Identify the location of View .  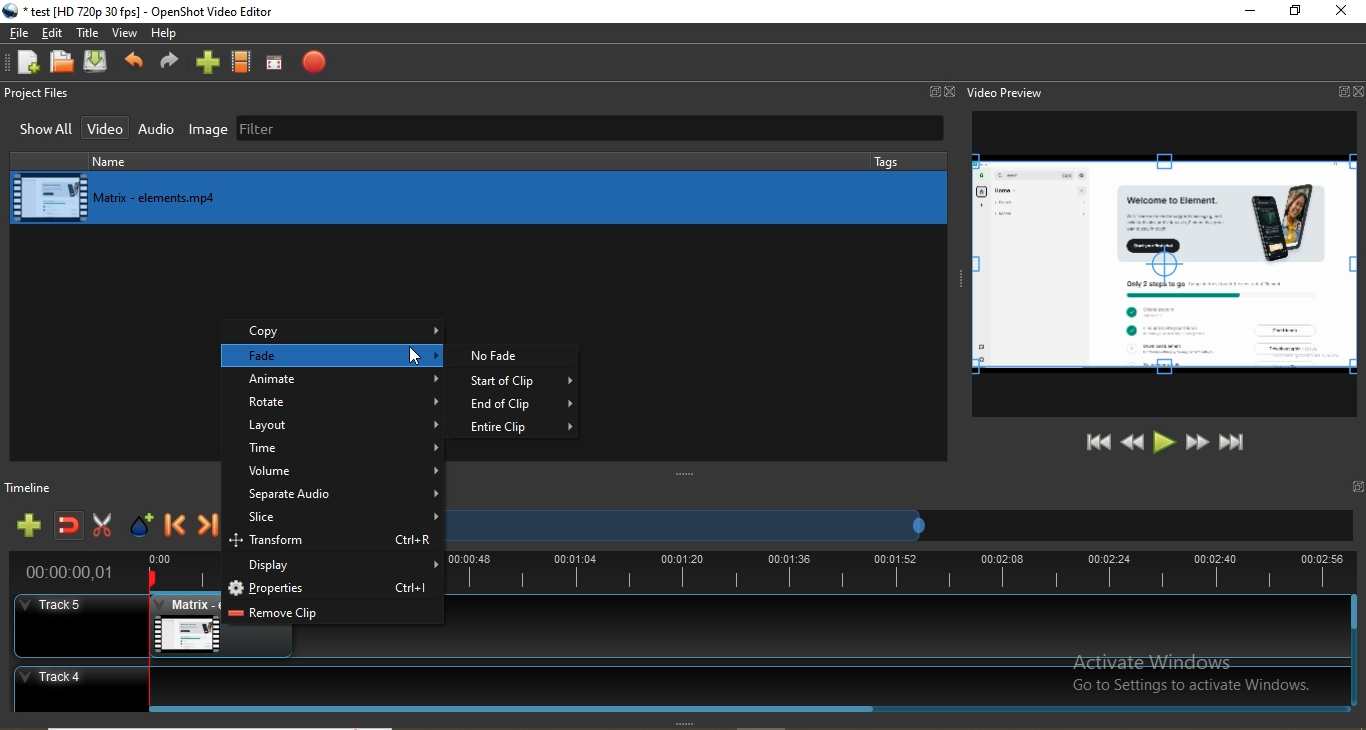
(127, 34).